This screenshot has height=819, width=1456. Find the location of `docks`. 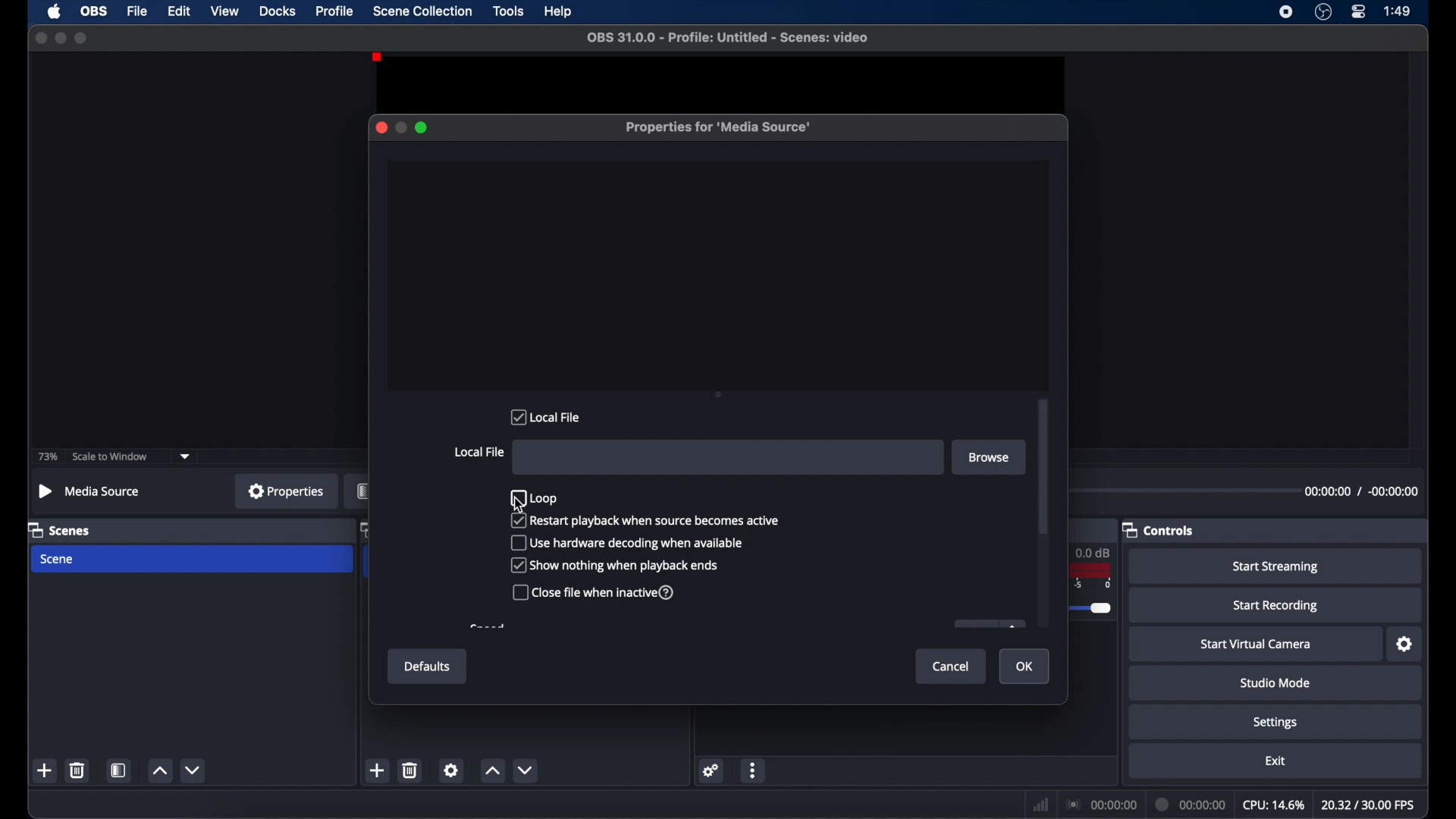

docks is located at coordinates (278, 10).